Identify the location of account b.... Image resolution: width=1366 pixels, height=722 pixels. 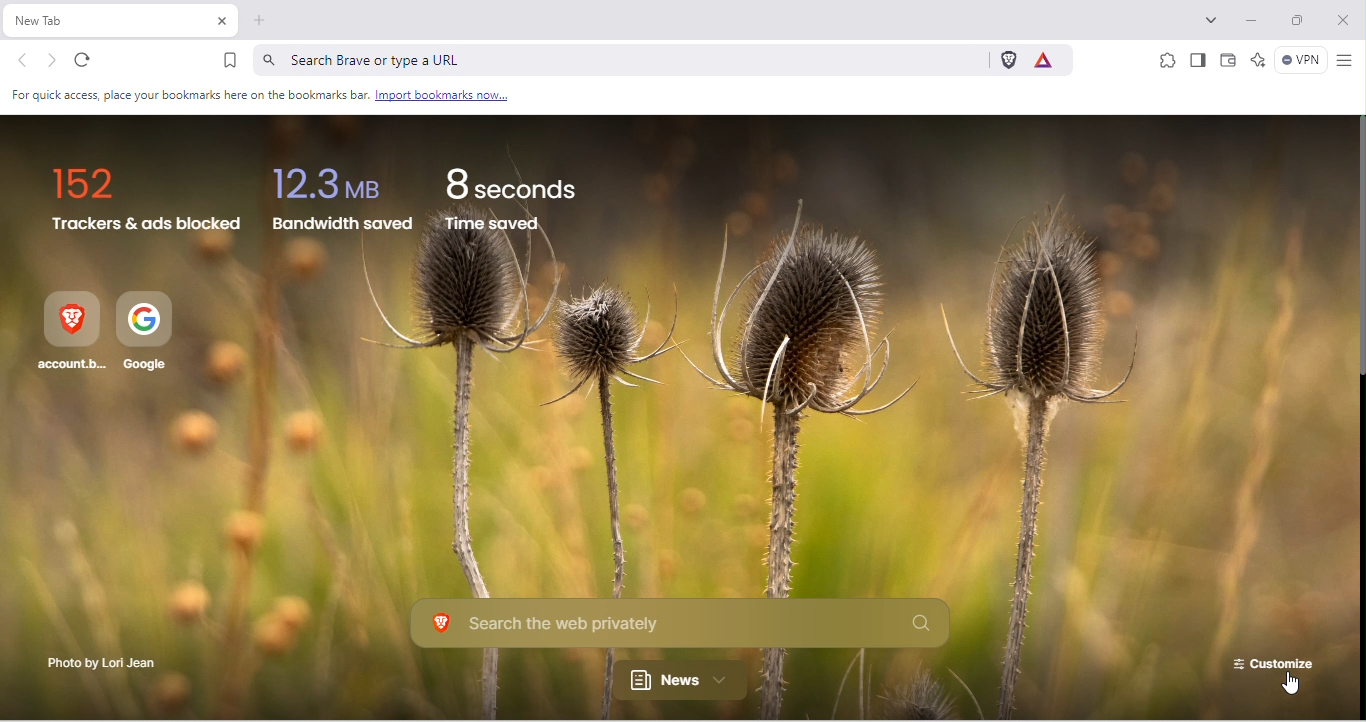
(71, 334).